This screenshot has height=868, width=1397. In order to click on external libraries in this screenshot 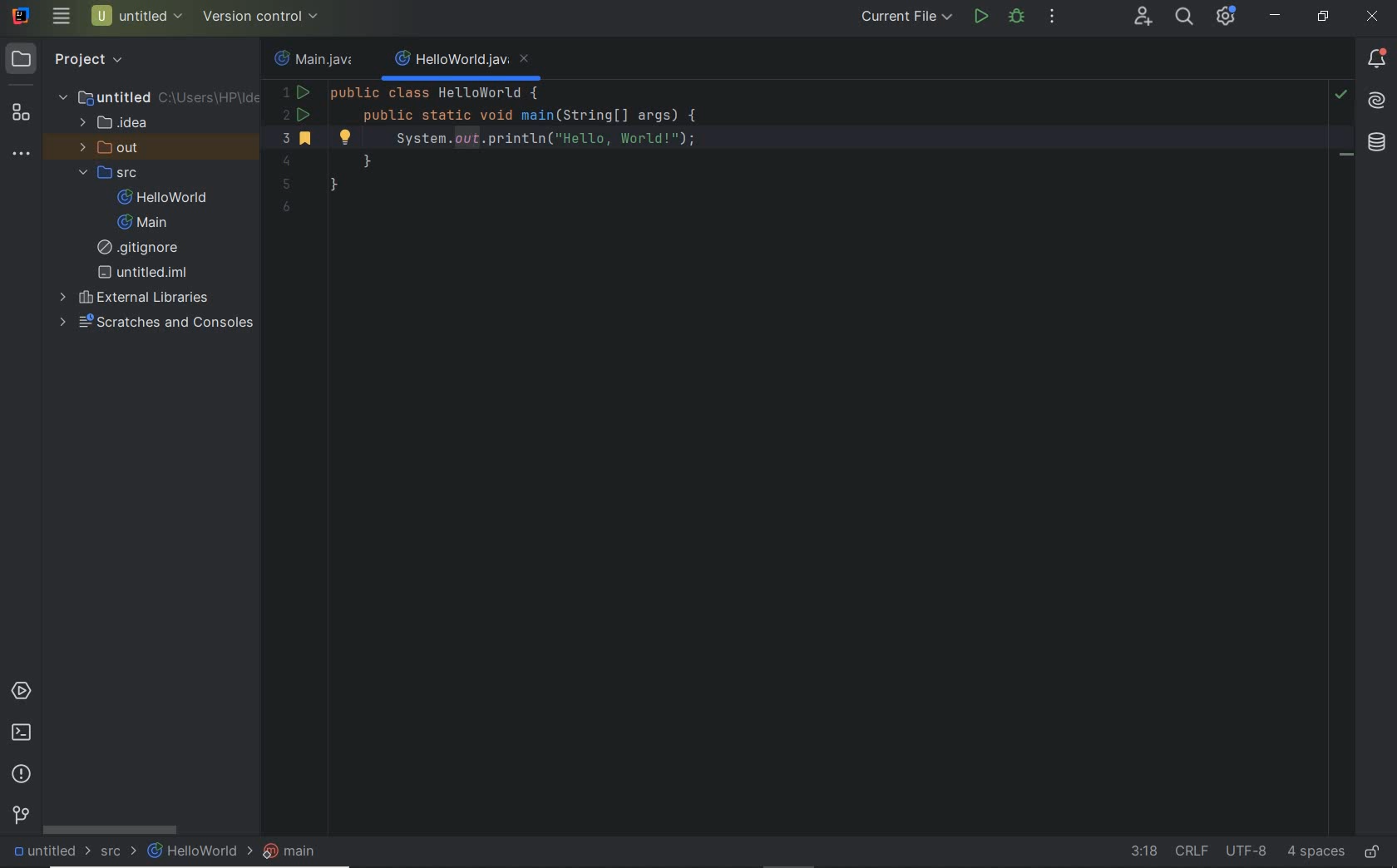, I will do `click(136, 296)`.